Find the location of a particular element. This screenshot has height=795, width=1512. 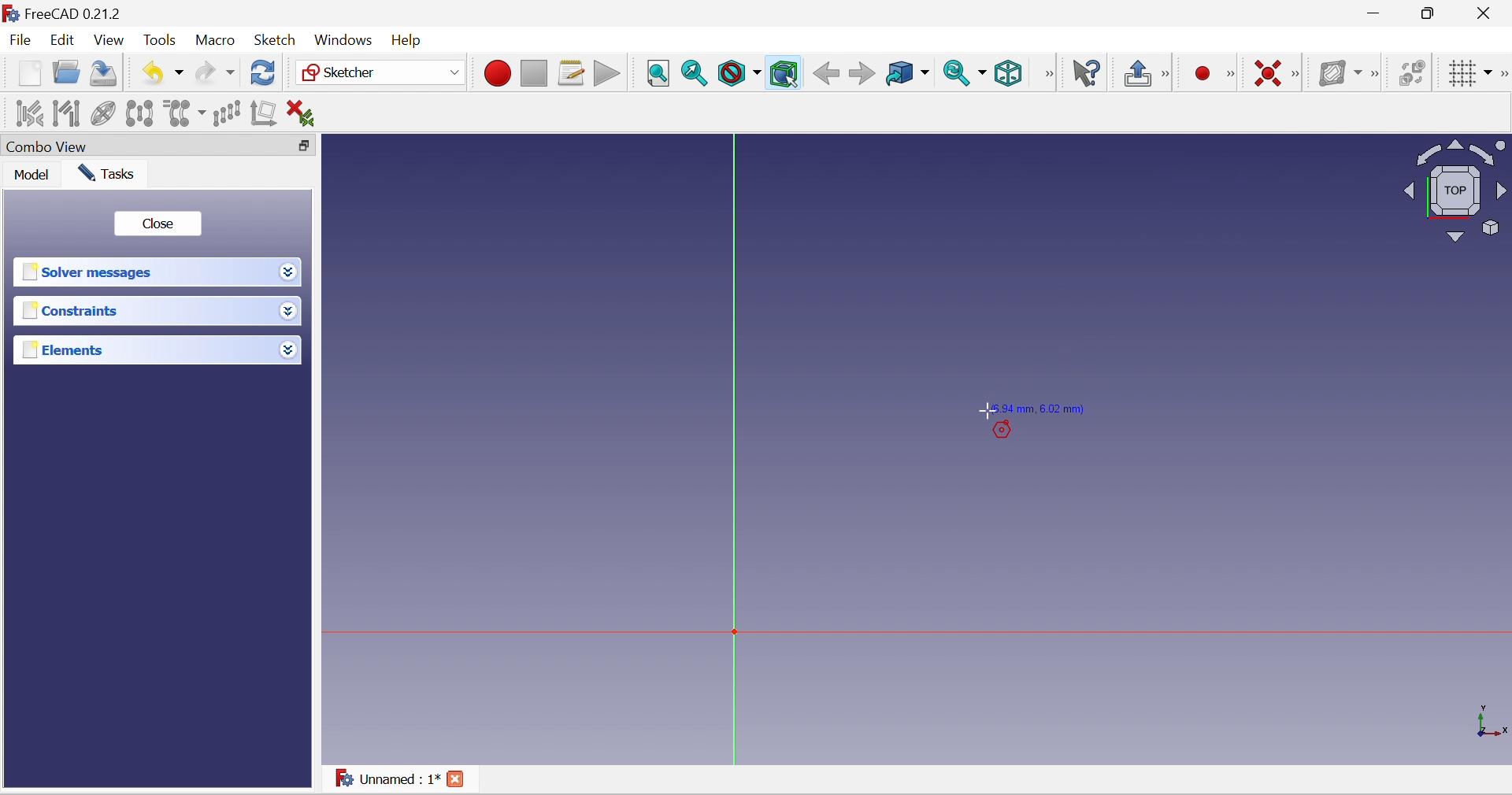

Redo is located at coordinates (215, 75).